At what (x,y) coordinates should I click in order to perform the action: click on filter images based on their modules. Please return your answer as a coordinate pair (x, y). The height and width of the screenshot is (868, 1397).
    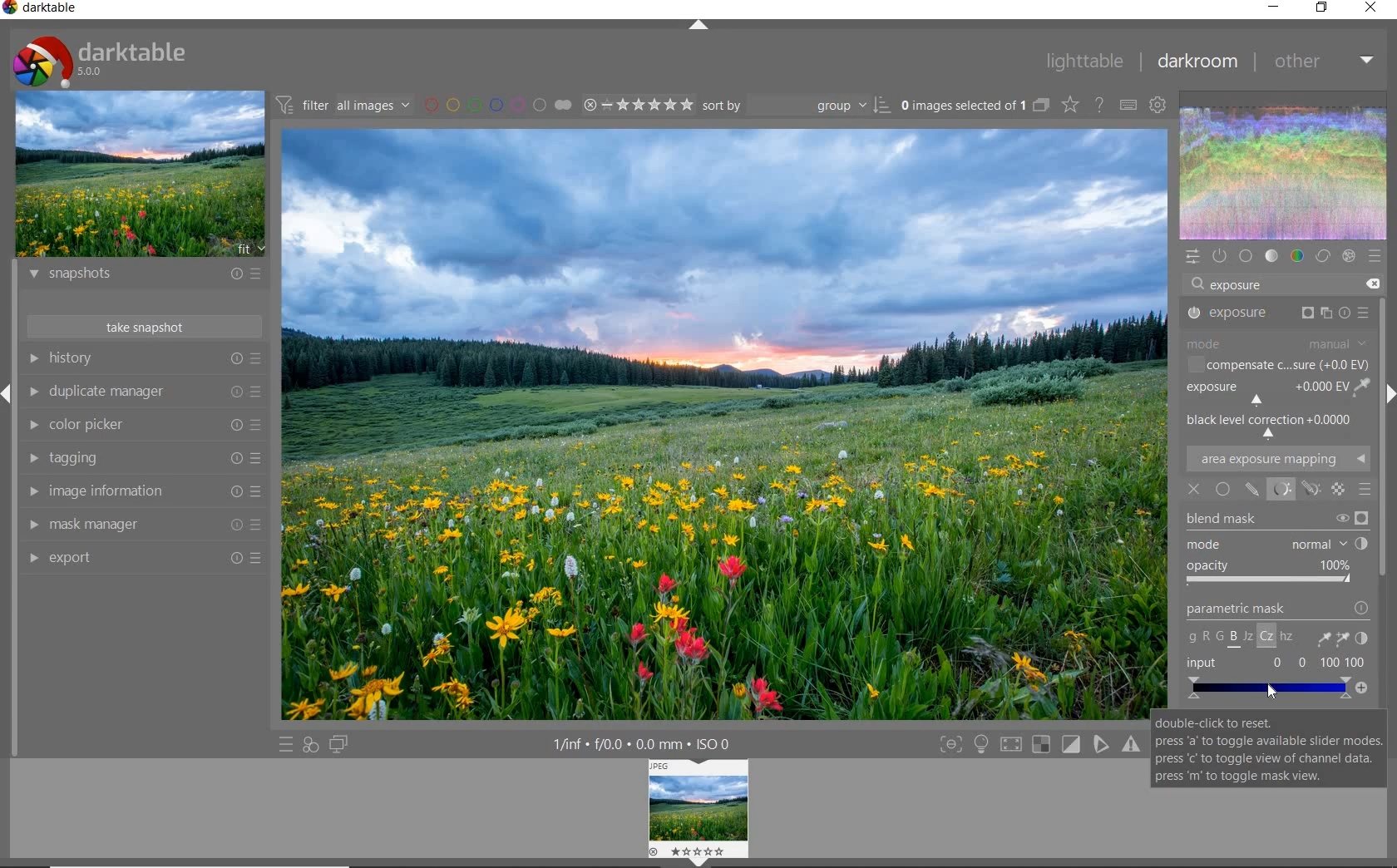
    Looking at the image, I should click on (345, 104).